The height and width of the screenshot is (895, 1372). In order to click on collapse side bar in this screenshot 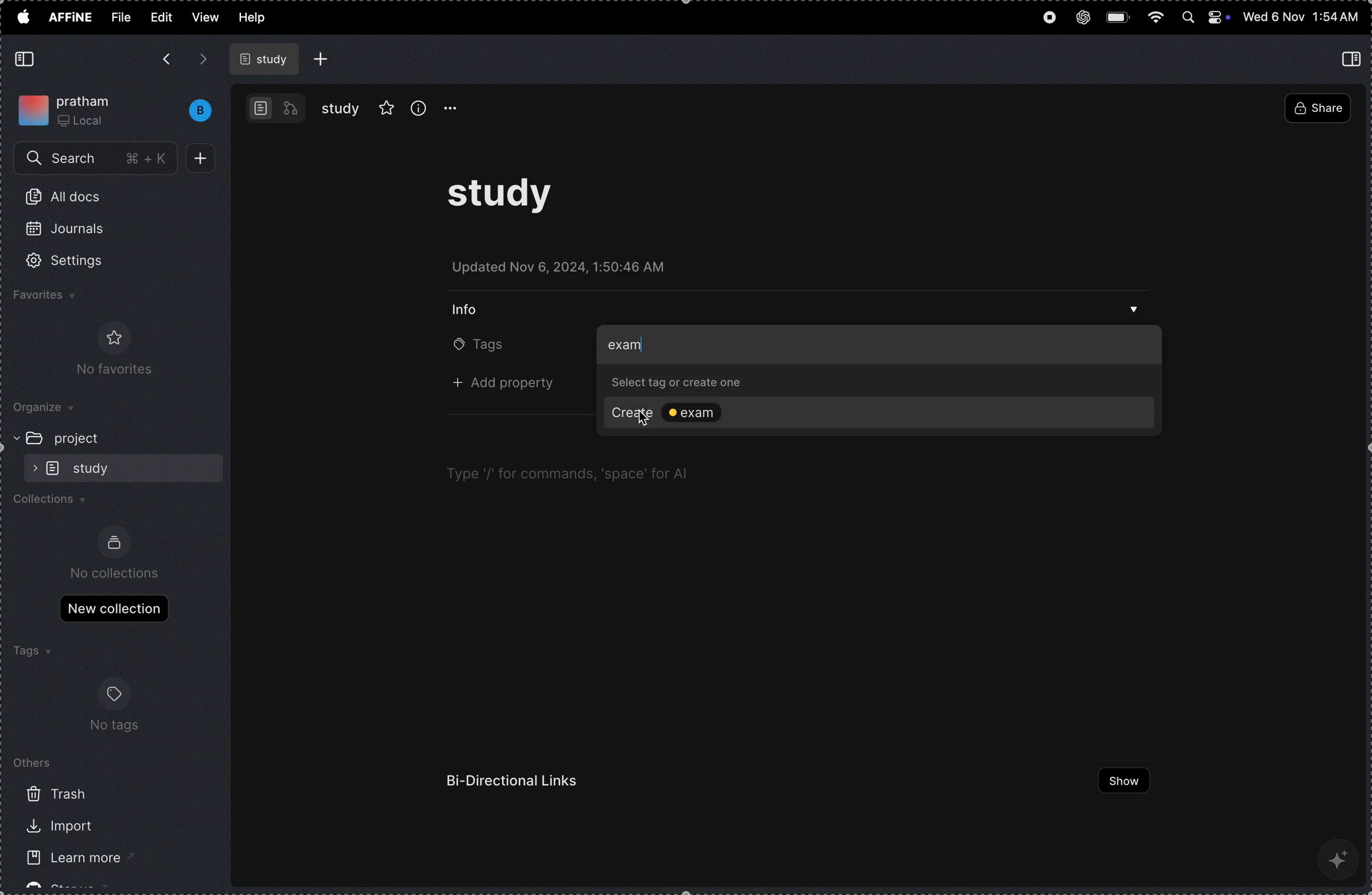, I will do `click(1354, 58)`.